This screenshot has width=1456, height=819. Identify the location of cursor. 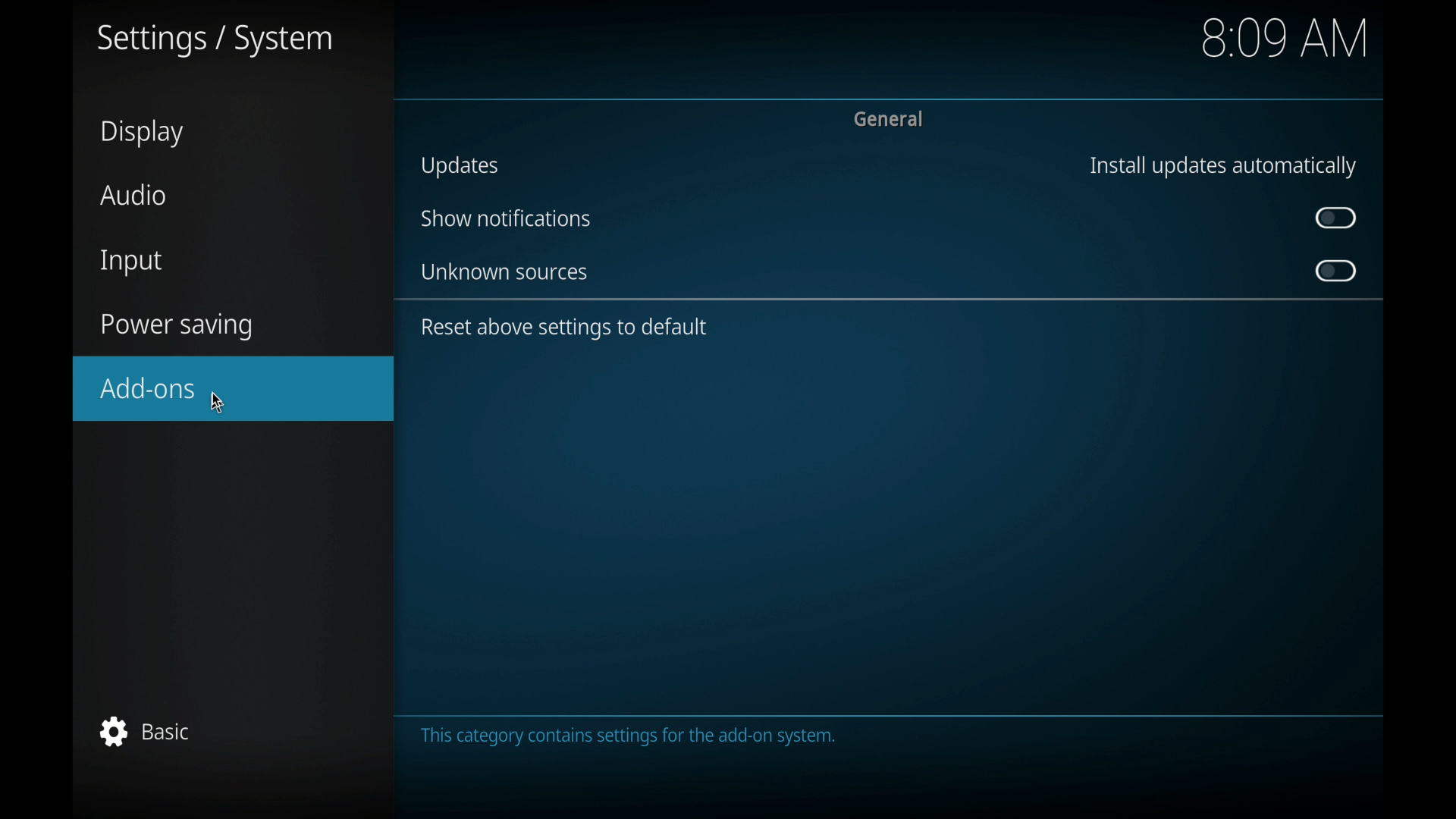
(217, 401).